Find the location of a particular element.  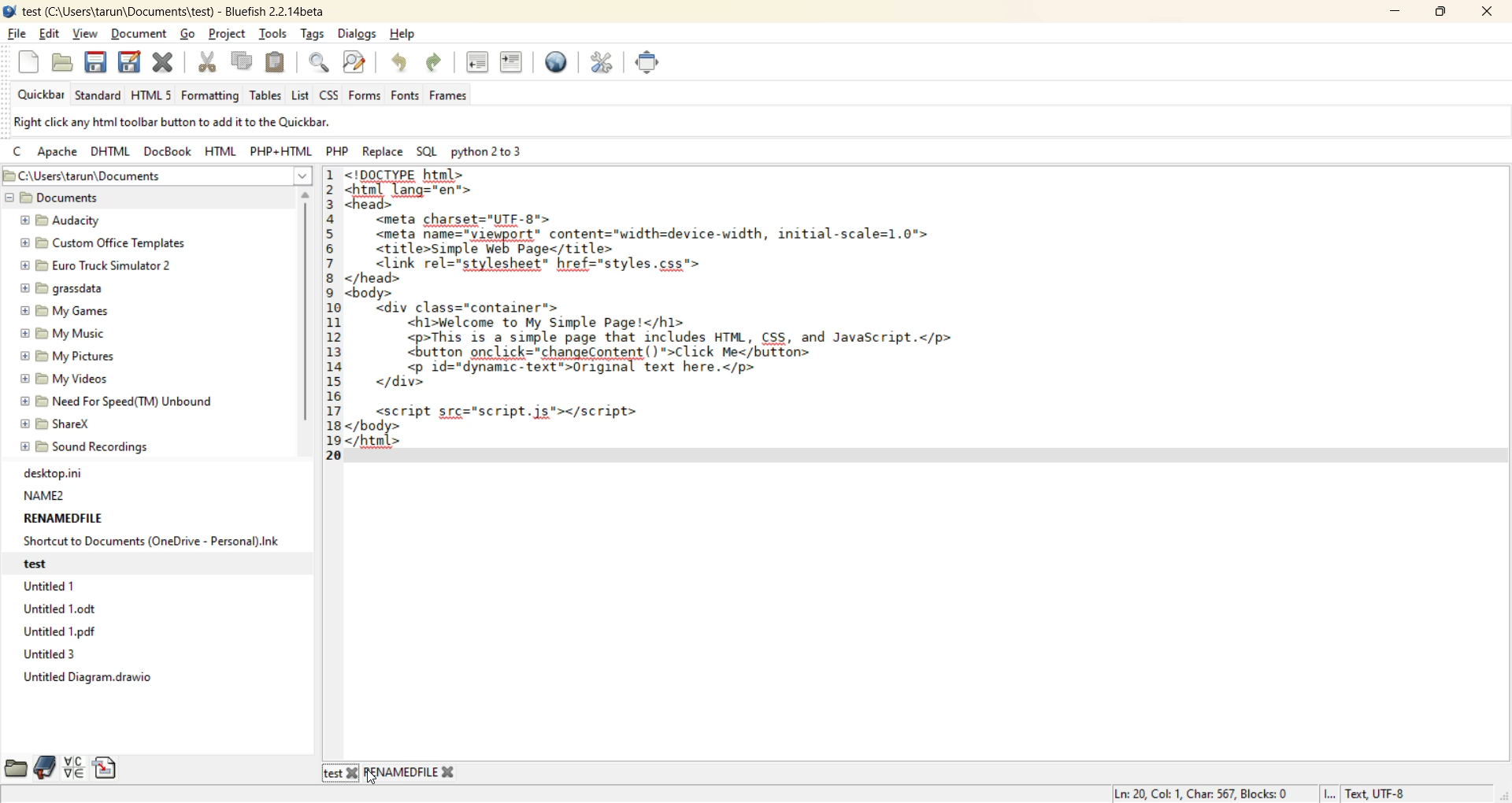

cursor is located at coordinates (372, 776).